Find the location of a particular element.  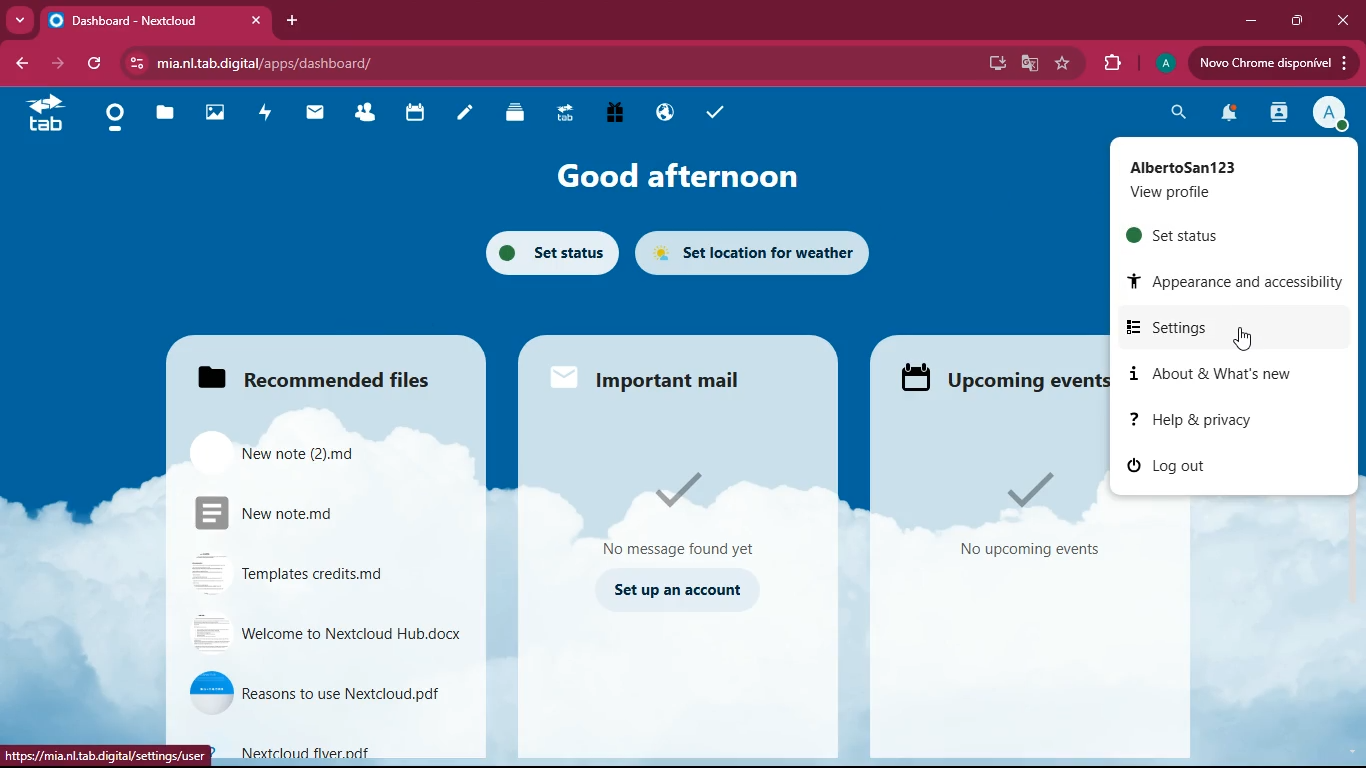

mail is located at coordinates (666, 380).